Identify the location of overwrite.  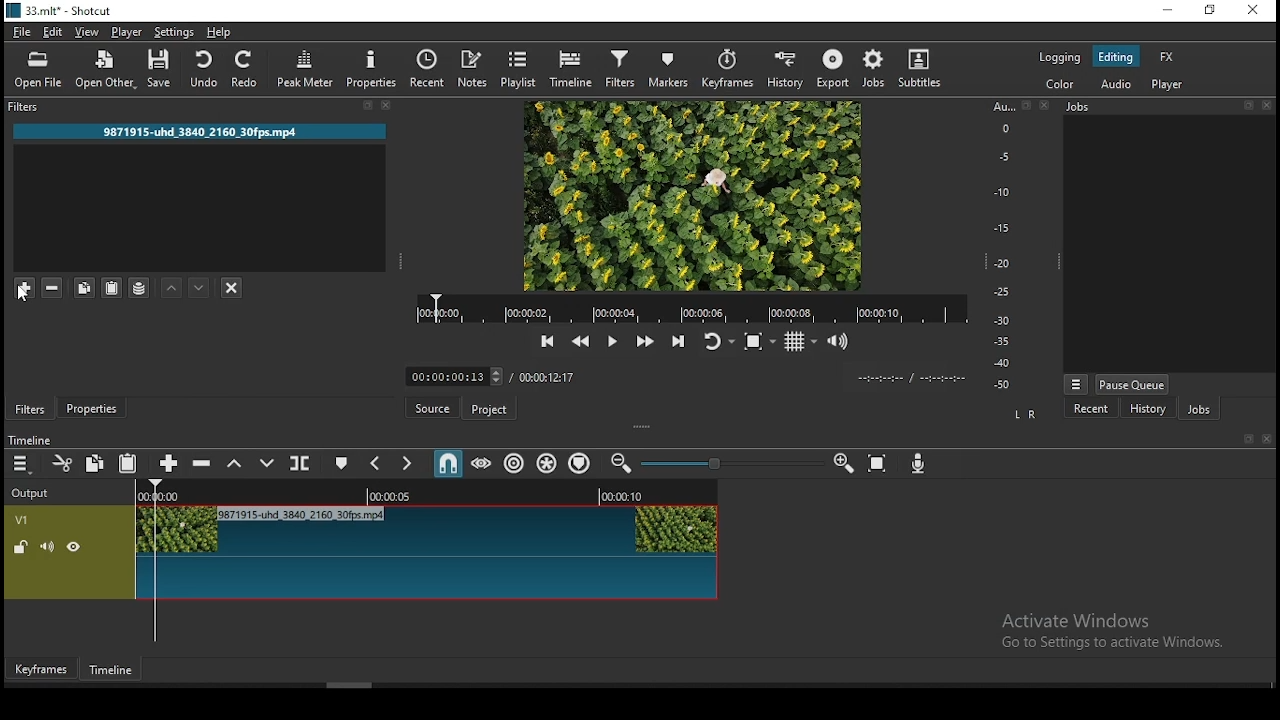
(265, 460).